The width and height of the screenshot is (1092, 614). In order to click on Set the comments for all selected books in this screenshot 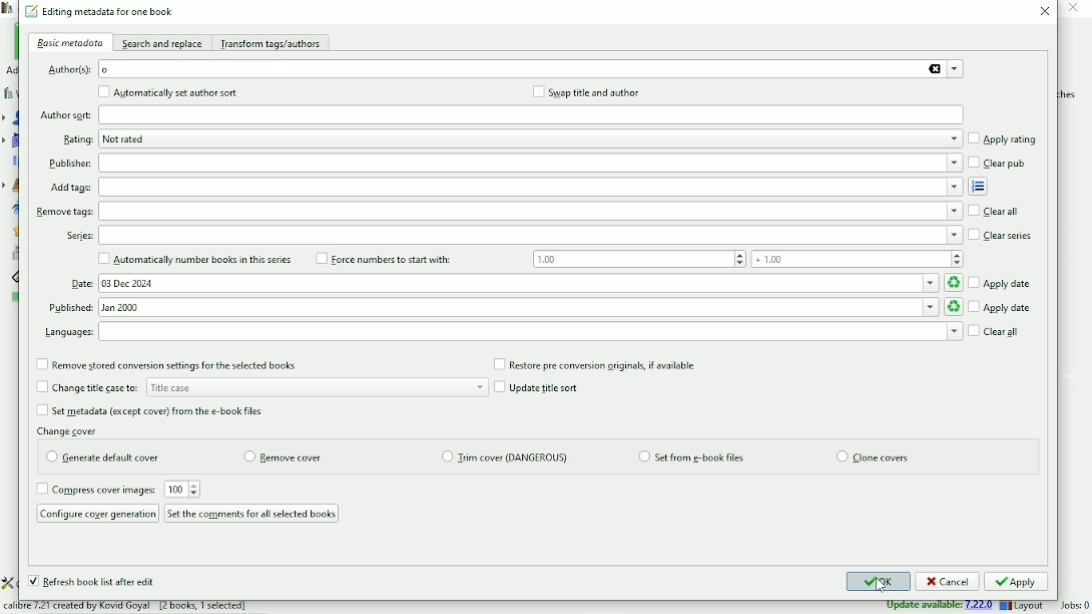, I will do `click(251, 513)`.